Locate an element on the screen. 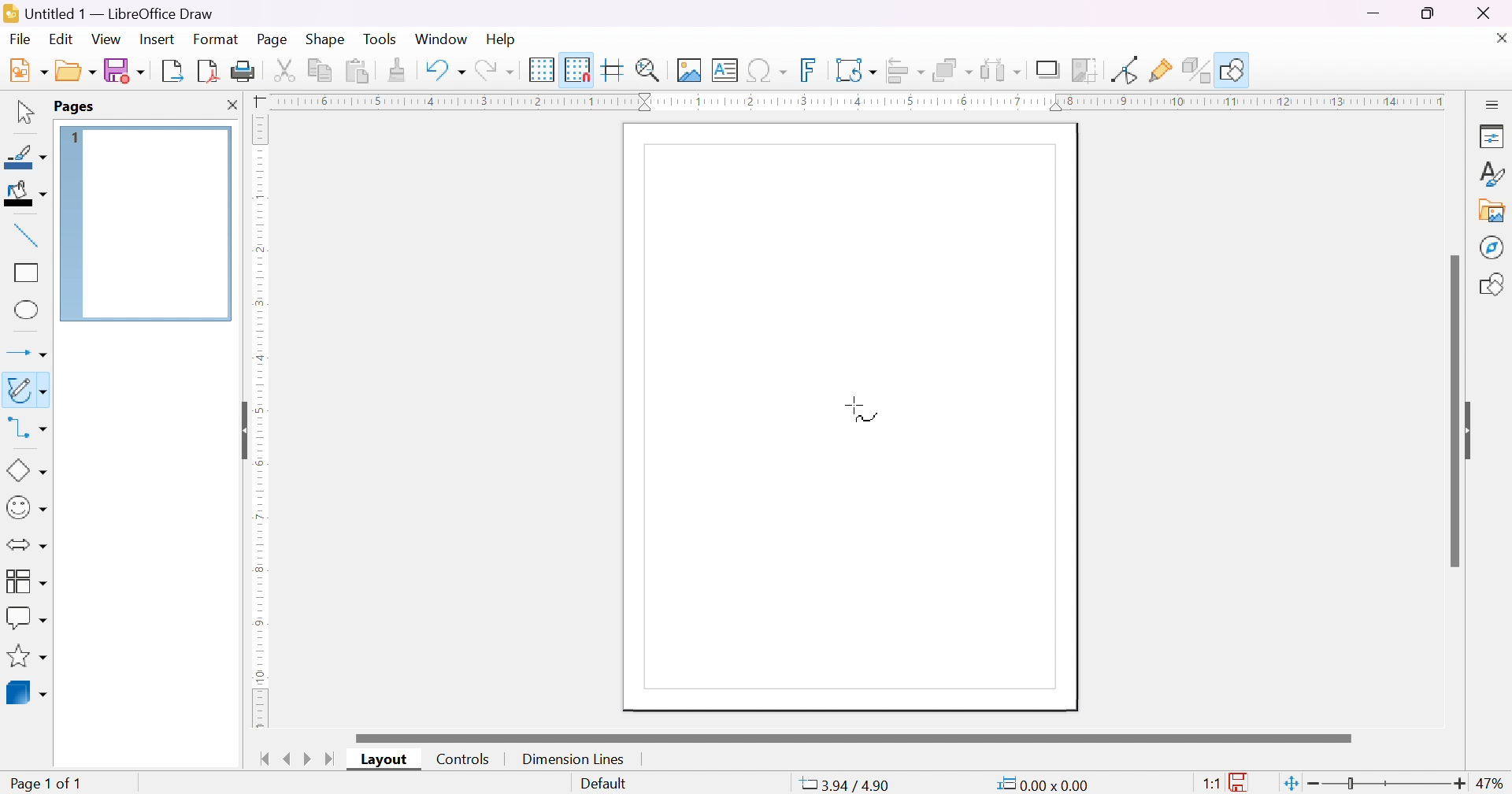 This screenshot has width=1512, height=794. the documents has not been modified since the last file. is located at coordinates (1241, 784).